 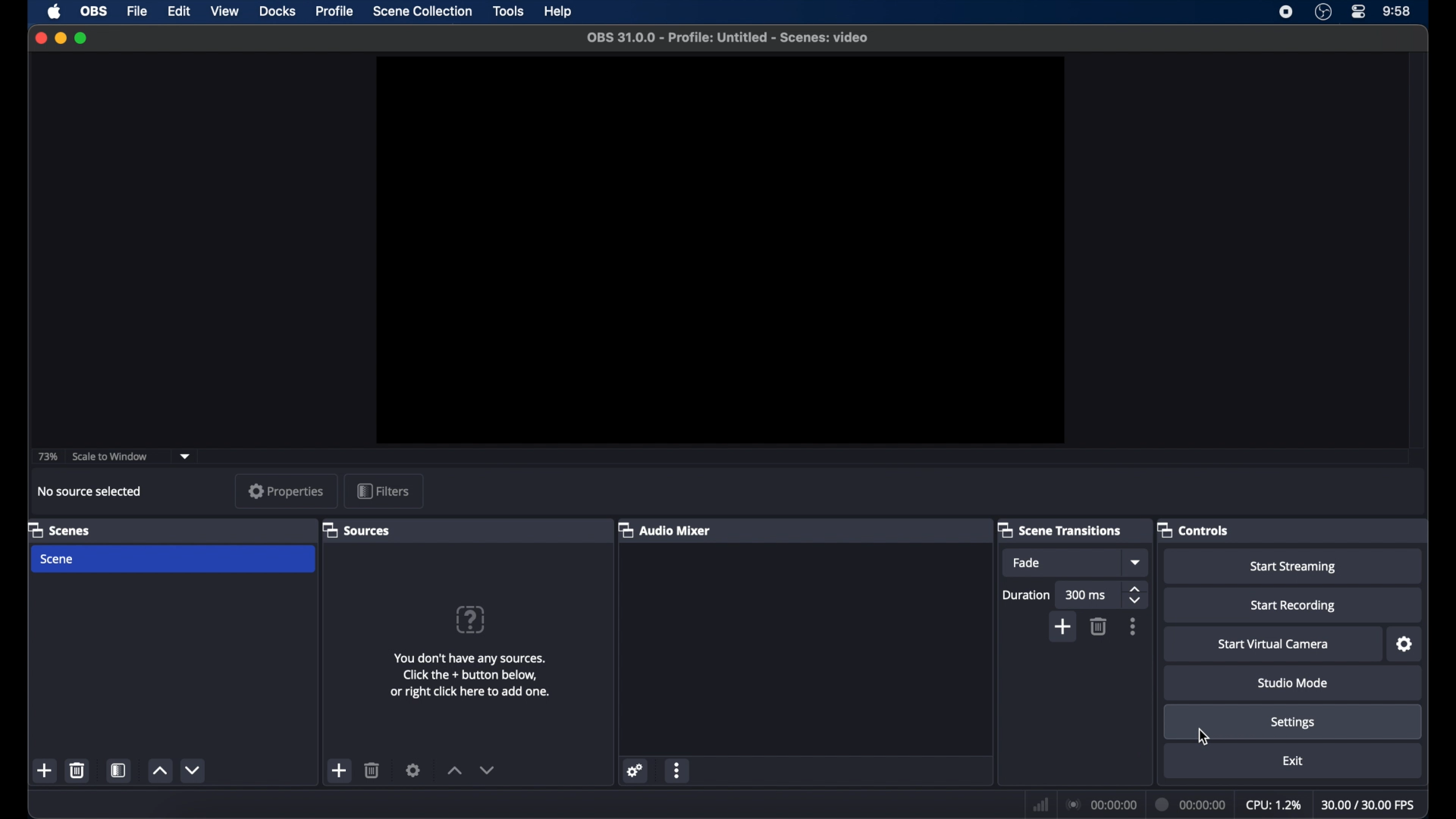 I want to click on network, so click(x=1040, y=803).